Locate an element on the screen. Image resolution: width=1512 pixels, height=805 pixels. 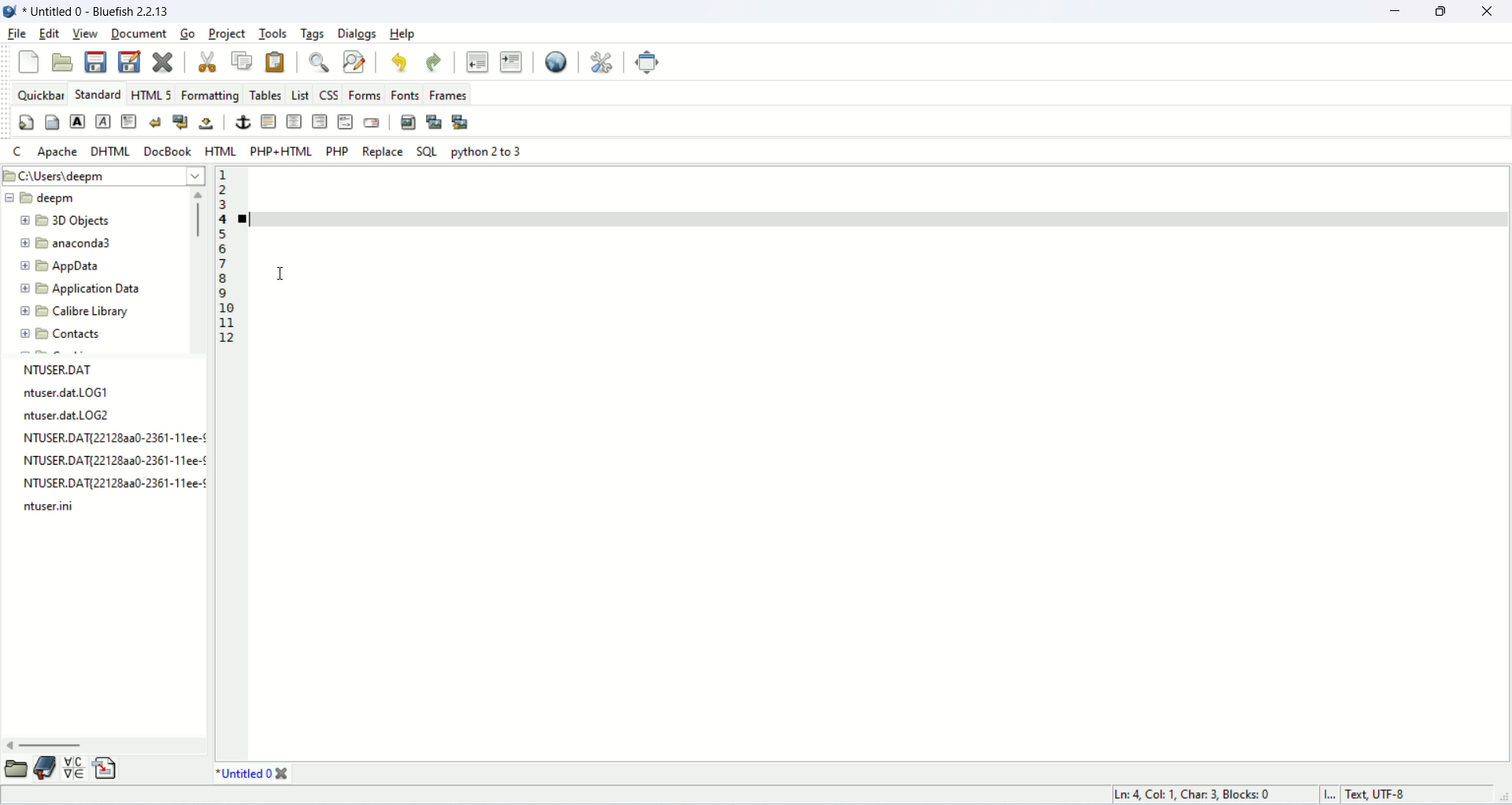
python 2 to 3 is located at coordinates (493, 153).